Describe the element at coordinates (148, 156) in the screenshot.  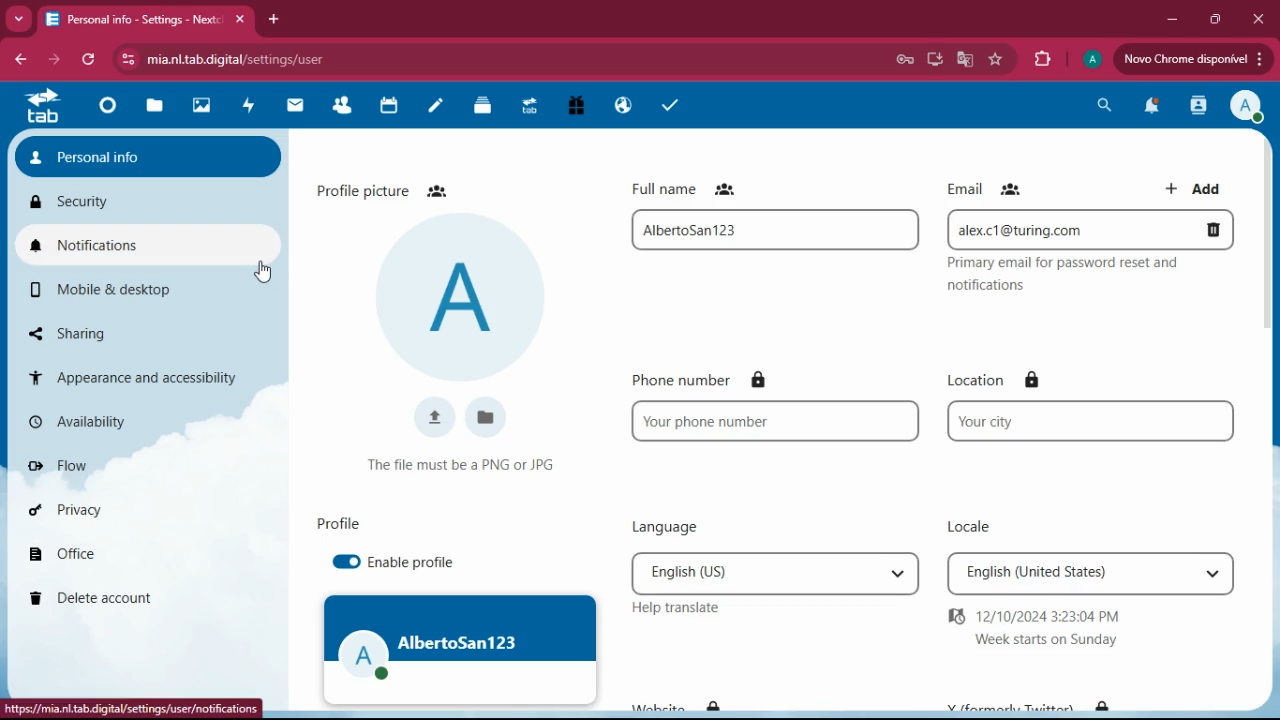
I see `personal info` at that location.